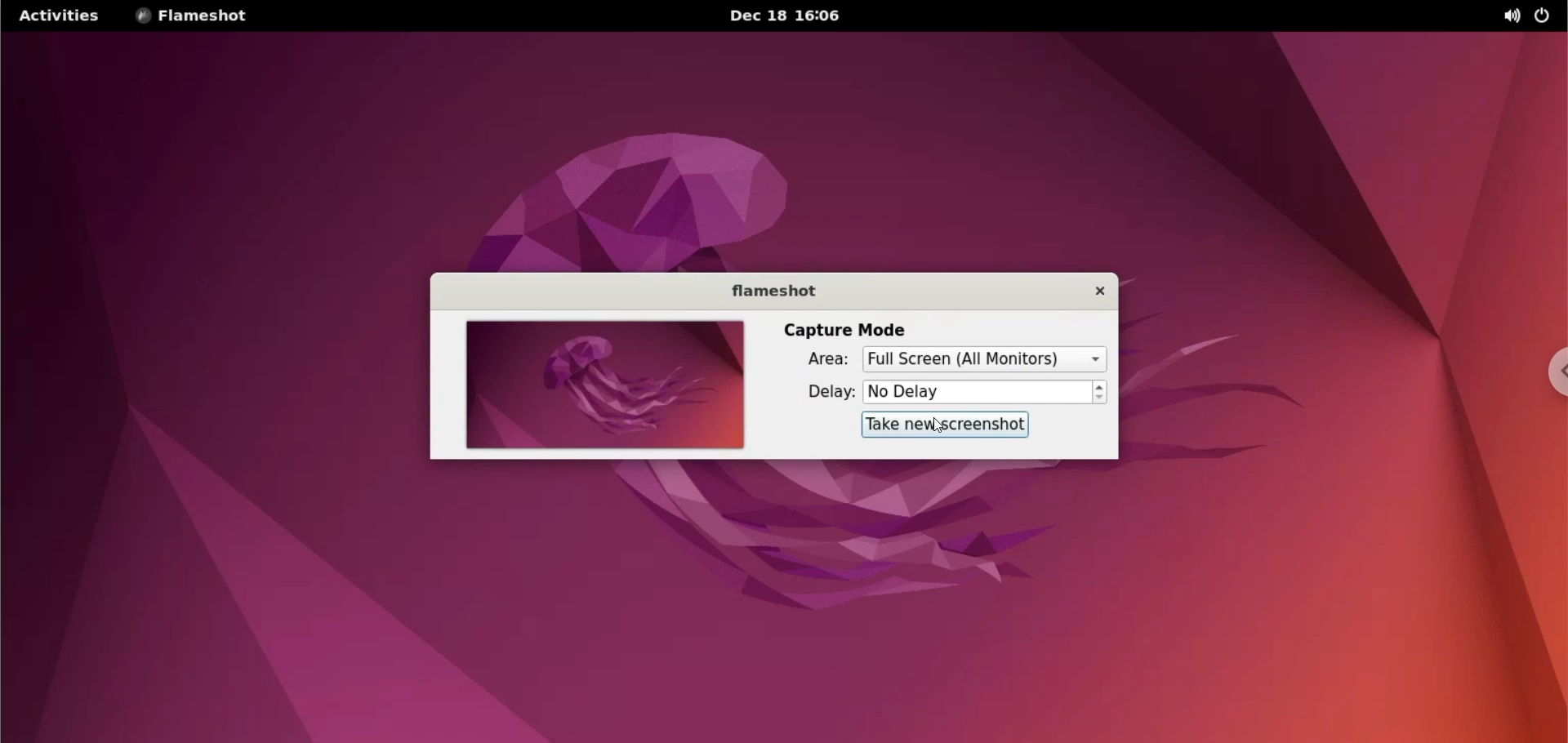 The width and height of the screenshot is (1568, 743). I want to click on on/off controls, so click(1544, 16).